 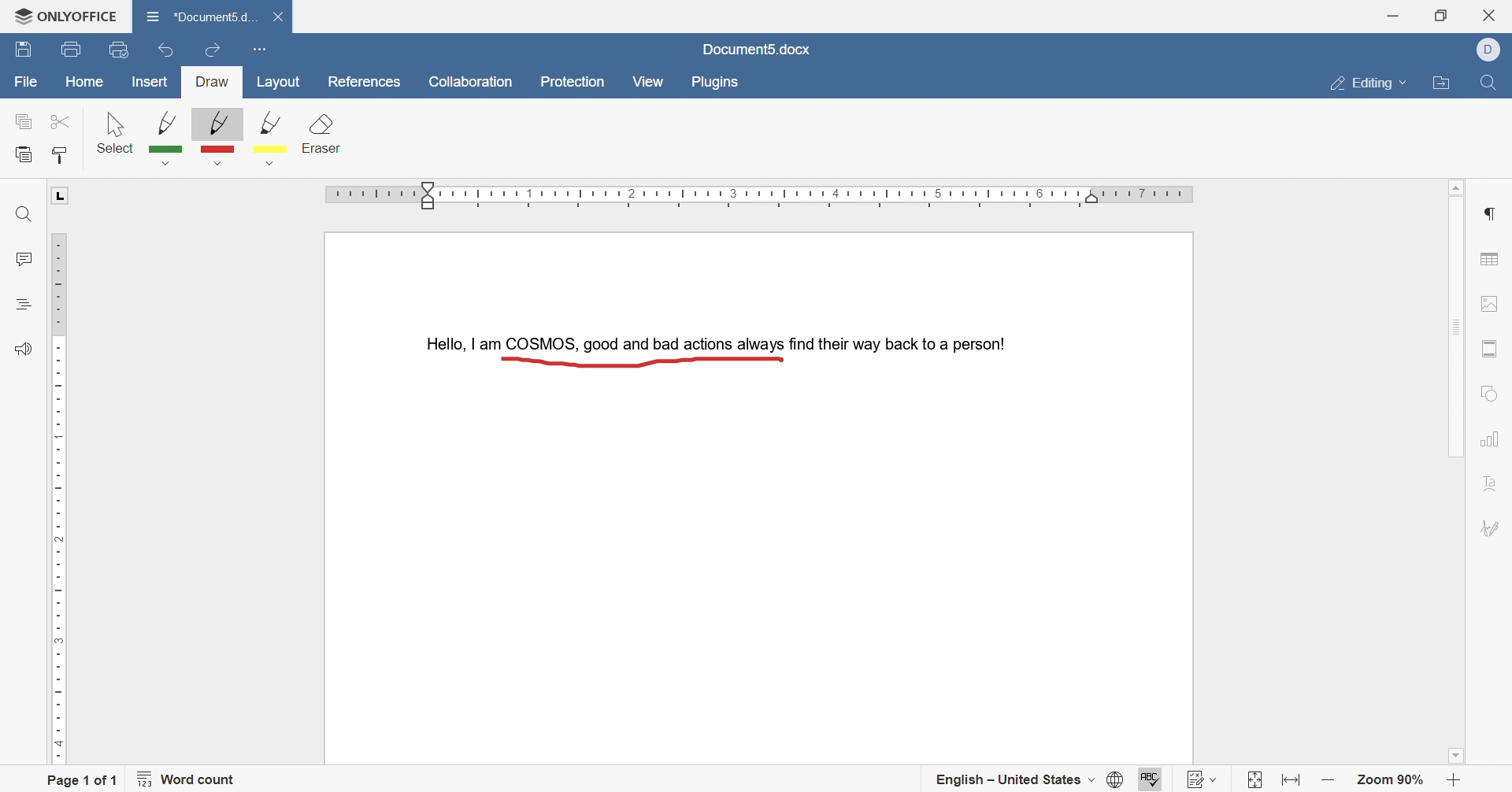 I want to click on english - united states, so click(x=1014, y=783).